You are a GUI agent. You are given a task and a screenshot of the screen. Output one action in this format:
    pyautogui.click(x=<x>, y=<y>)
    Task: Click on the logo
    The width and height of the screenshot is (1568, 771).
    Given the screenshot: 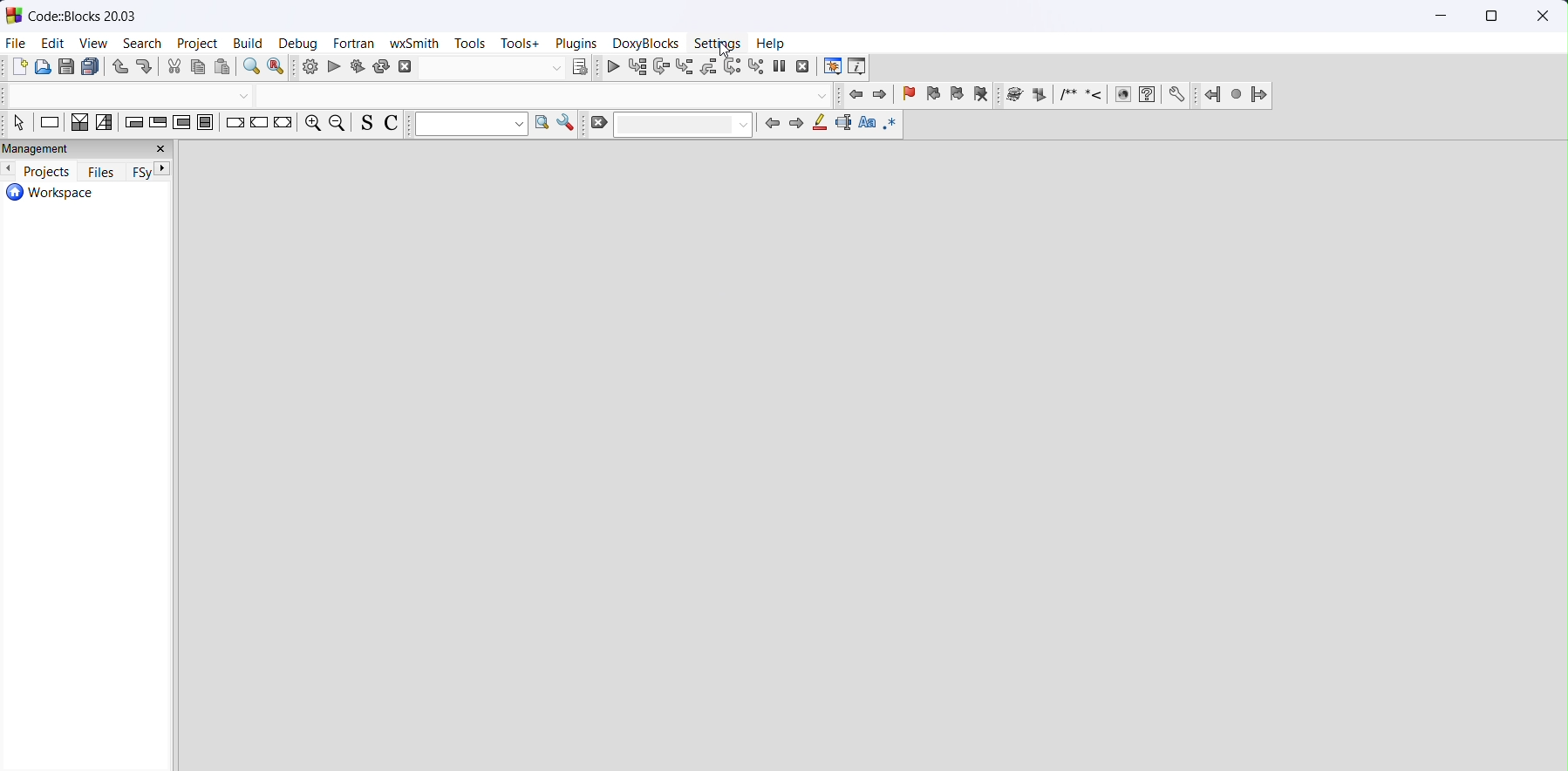 What is the action you would take?
    pyautogui.click(x=15, y=15)
    